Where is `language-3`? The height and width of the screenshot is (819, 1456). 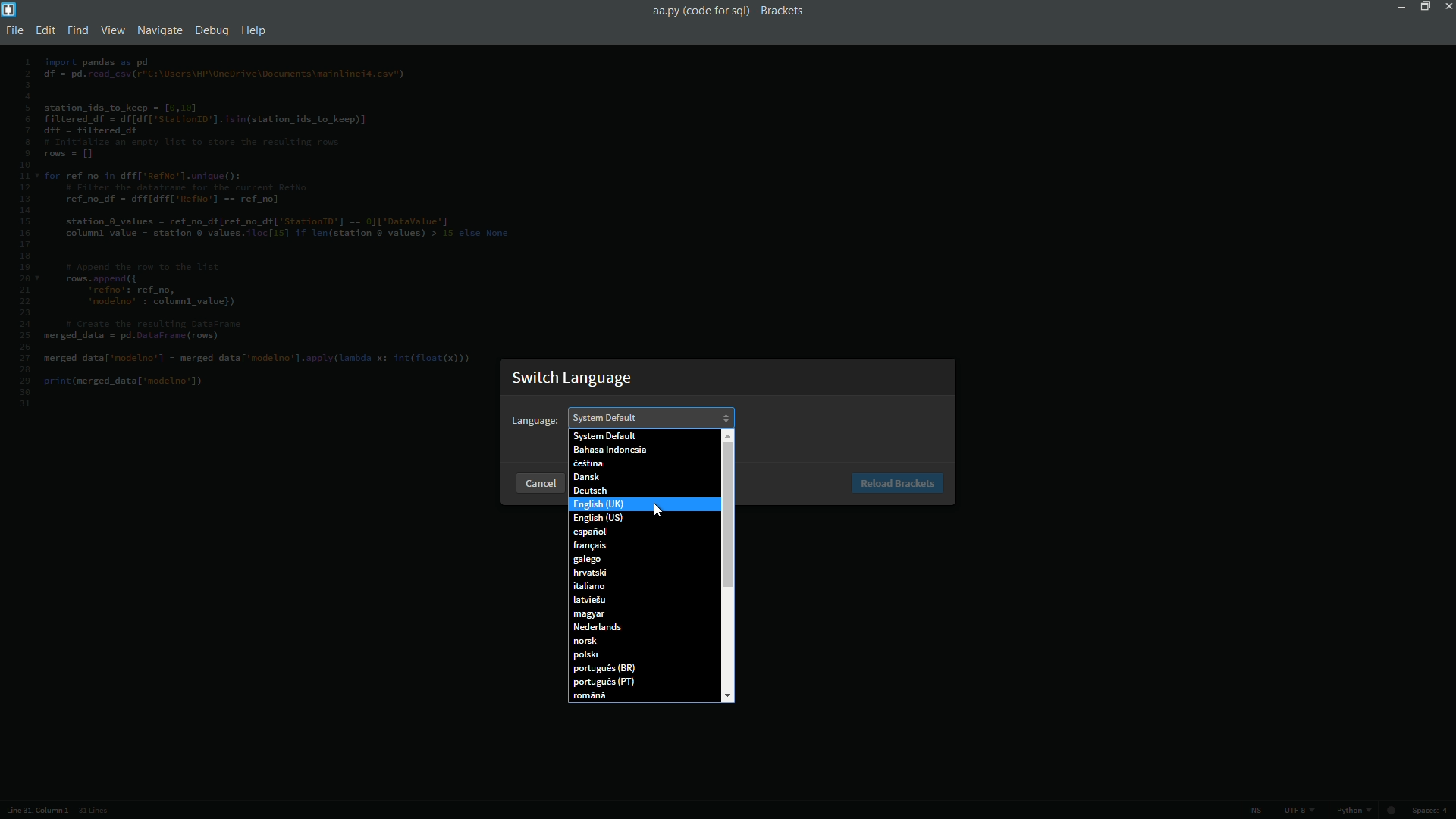 language-3 is located at coordinates (585, 477).